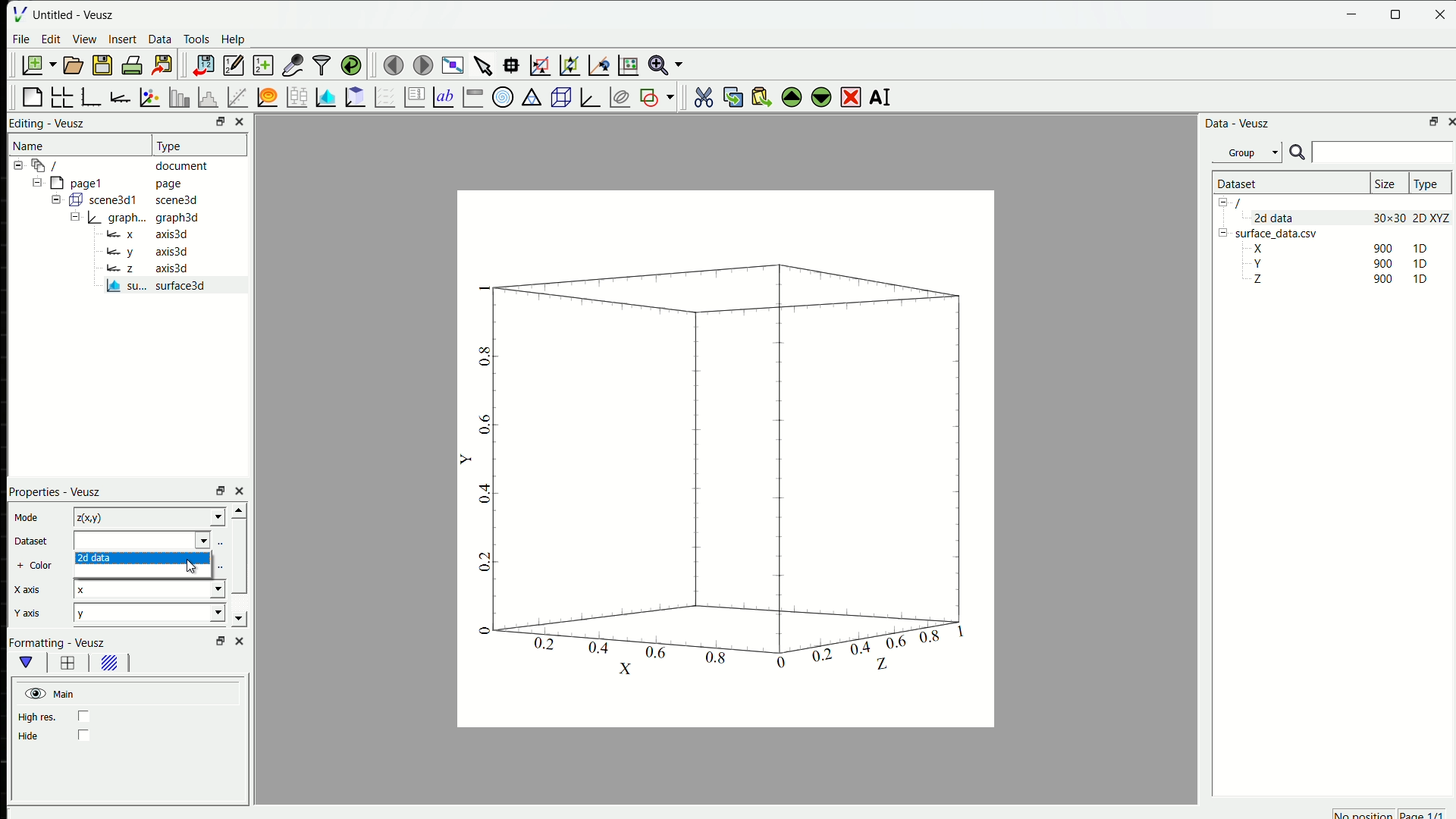 Image resolution: width=1456 pixels, height=819 pixels. What do you see at coordinates (234, 40) in the screenshot?
I see `Help` at bounding box center [234, 40].